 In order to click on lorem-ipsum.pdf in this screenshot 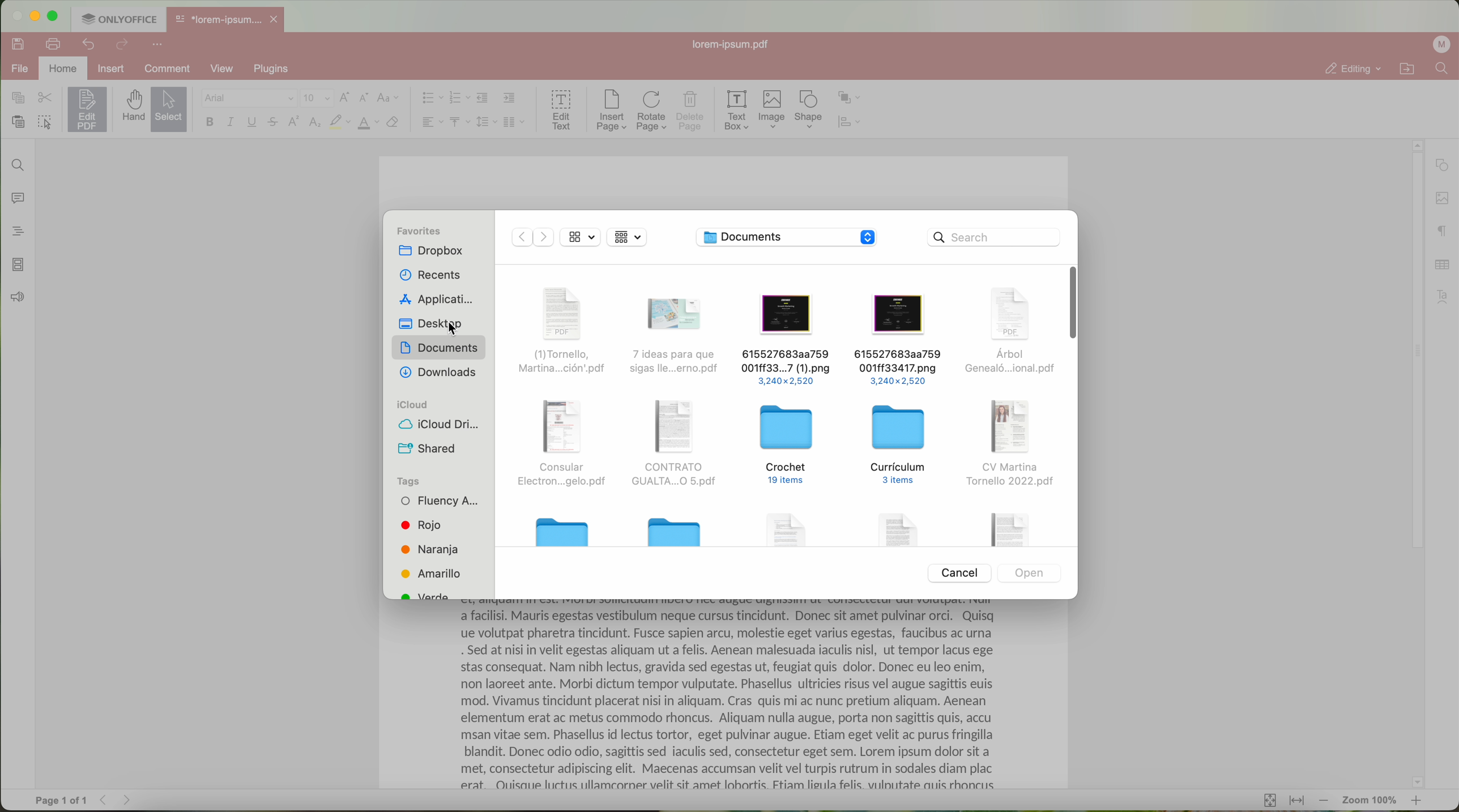, I will do `click(735, 44)`.